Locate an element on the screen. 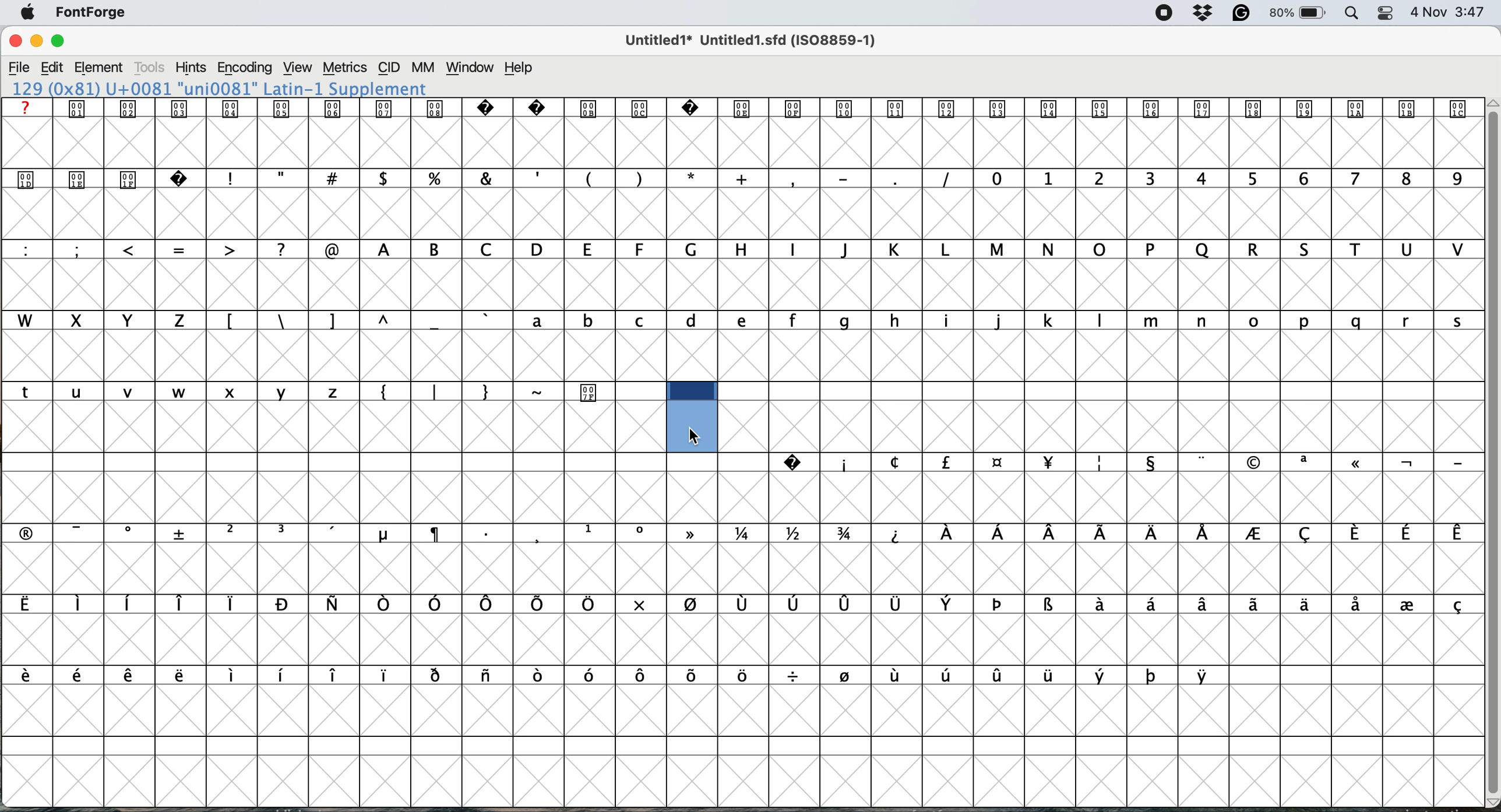 This screenshot has height=812, width=1501. Uppercase and Lowercase Letters is located at coordinates (378, 320).